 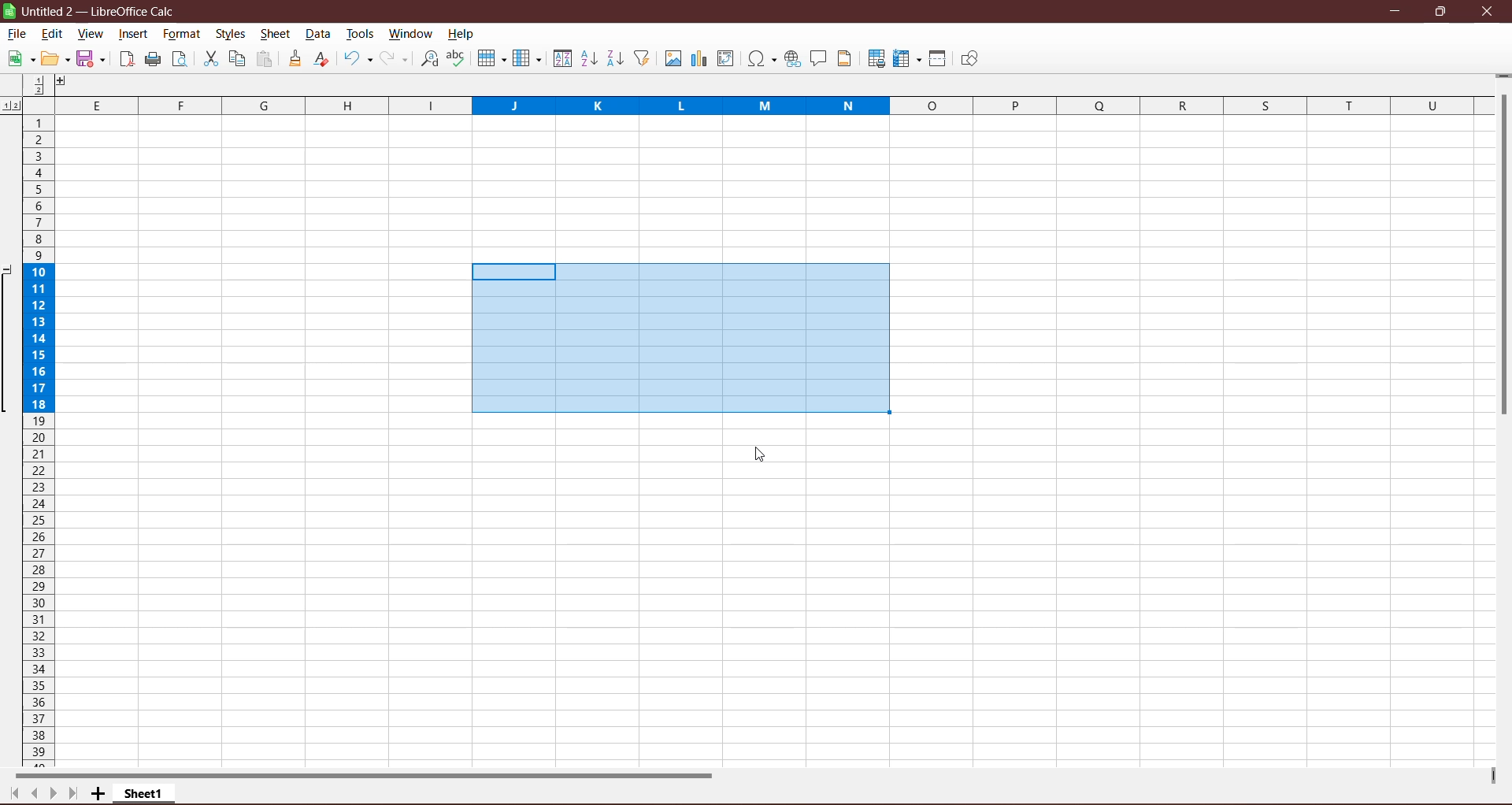 What do you see at coordinates (749, 104) in the screenshot?
I see `Columns` at bounding box center [749, 104].